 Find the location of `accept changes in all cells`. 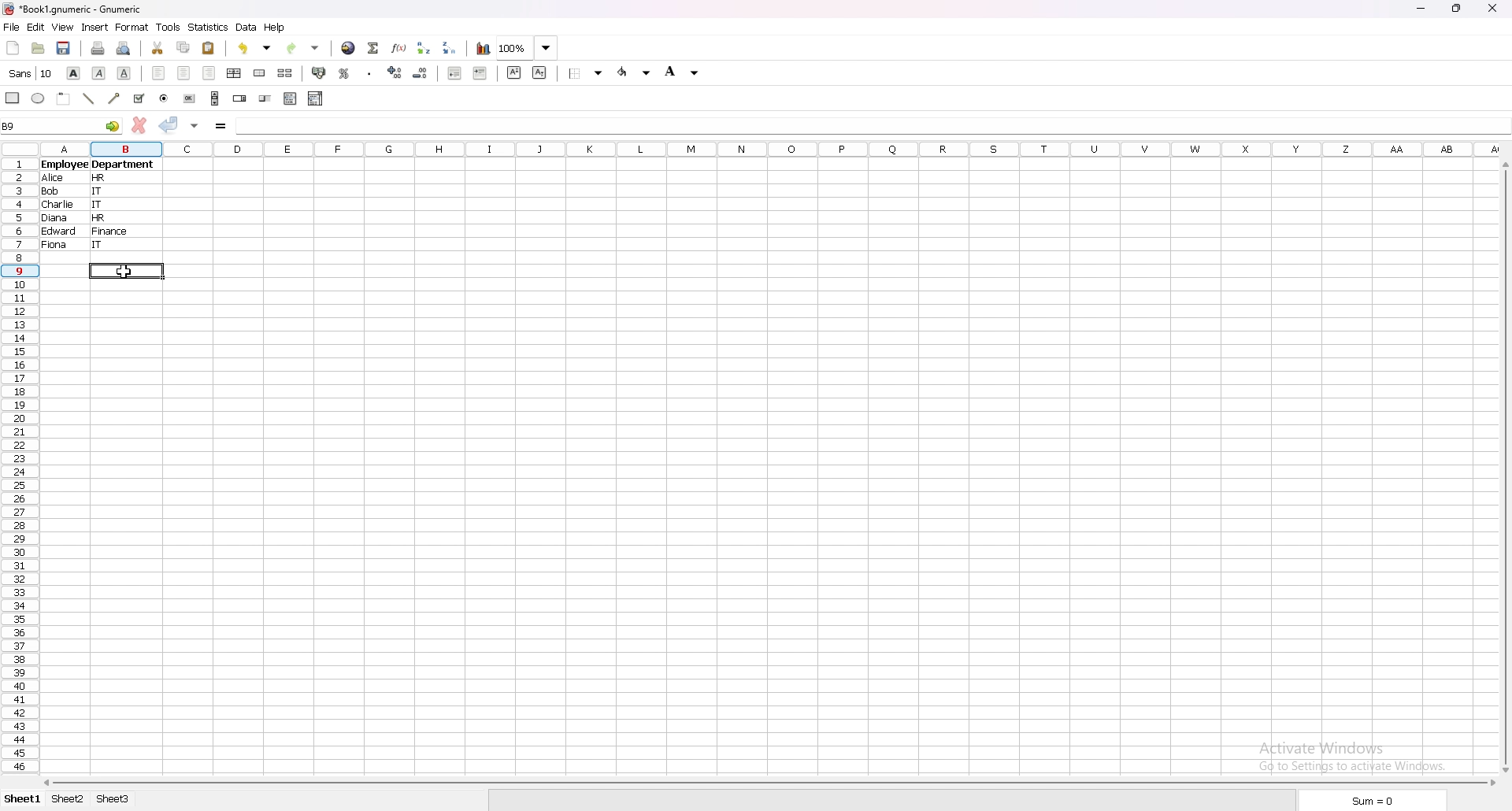

accept changes in all cells is located at coordinates (195, 125).